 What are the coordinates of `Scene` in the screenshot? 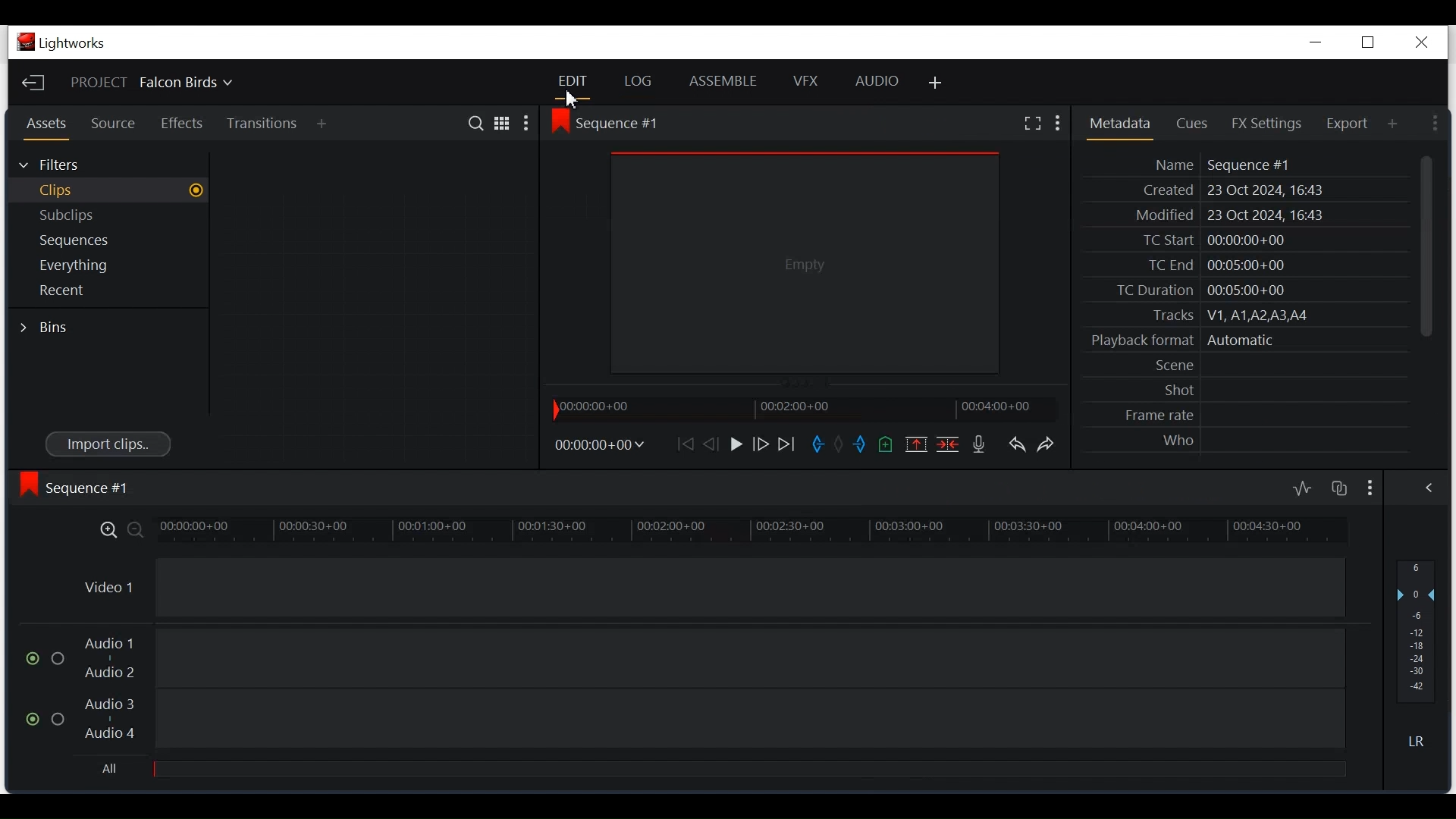 It's located at (1177, 365).